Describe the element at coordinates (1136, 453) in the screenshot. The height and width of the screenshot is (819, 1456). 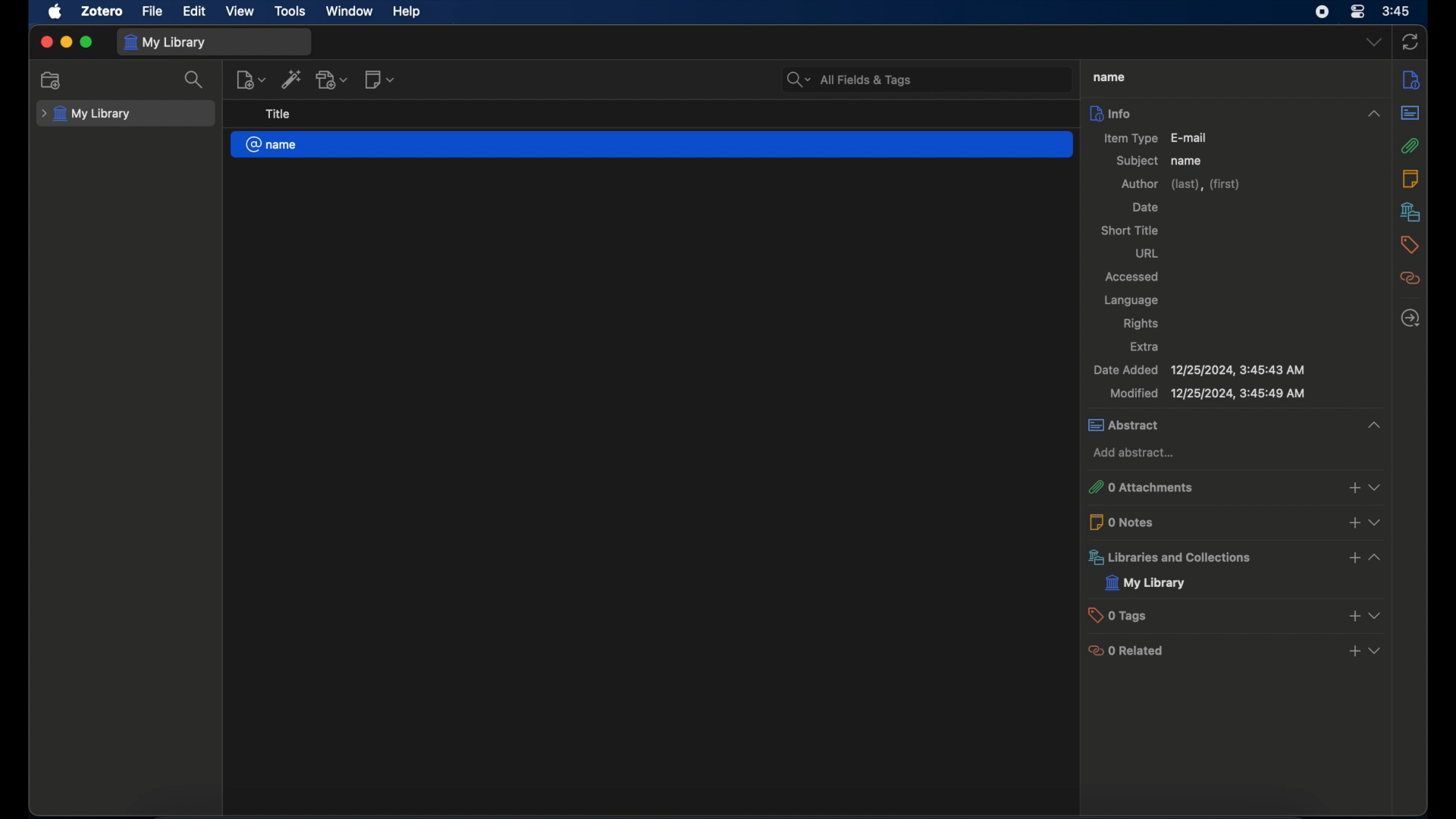
I see `add abstract` at that location.